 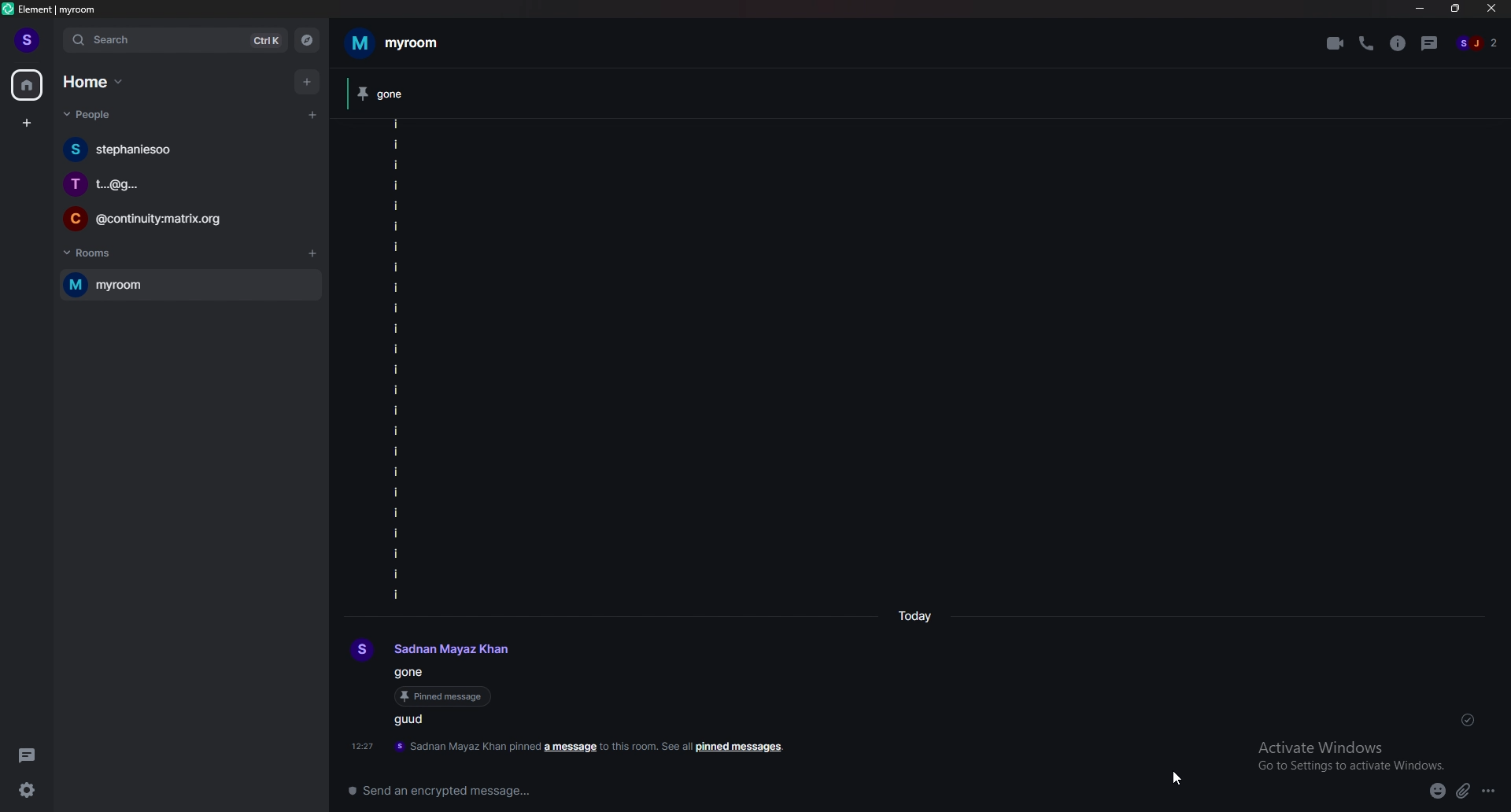 What do you see at coordinates (175, 40) in the screenshot?
I see `search bar` at bounding box center [175, 40].